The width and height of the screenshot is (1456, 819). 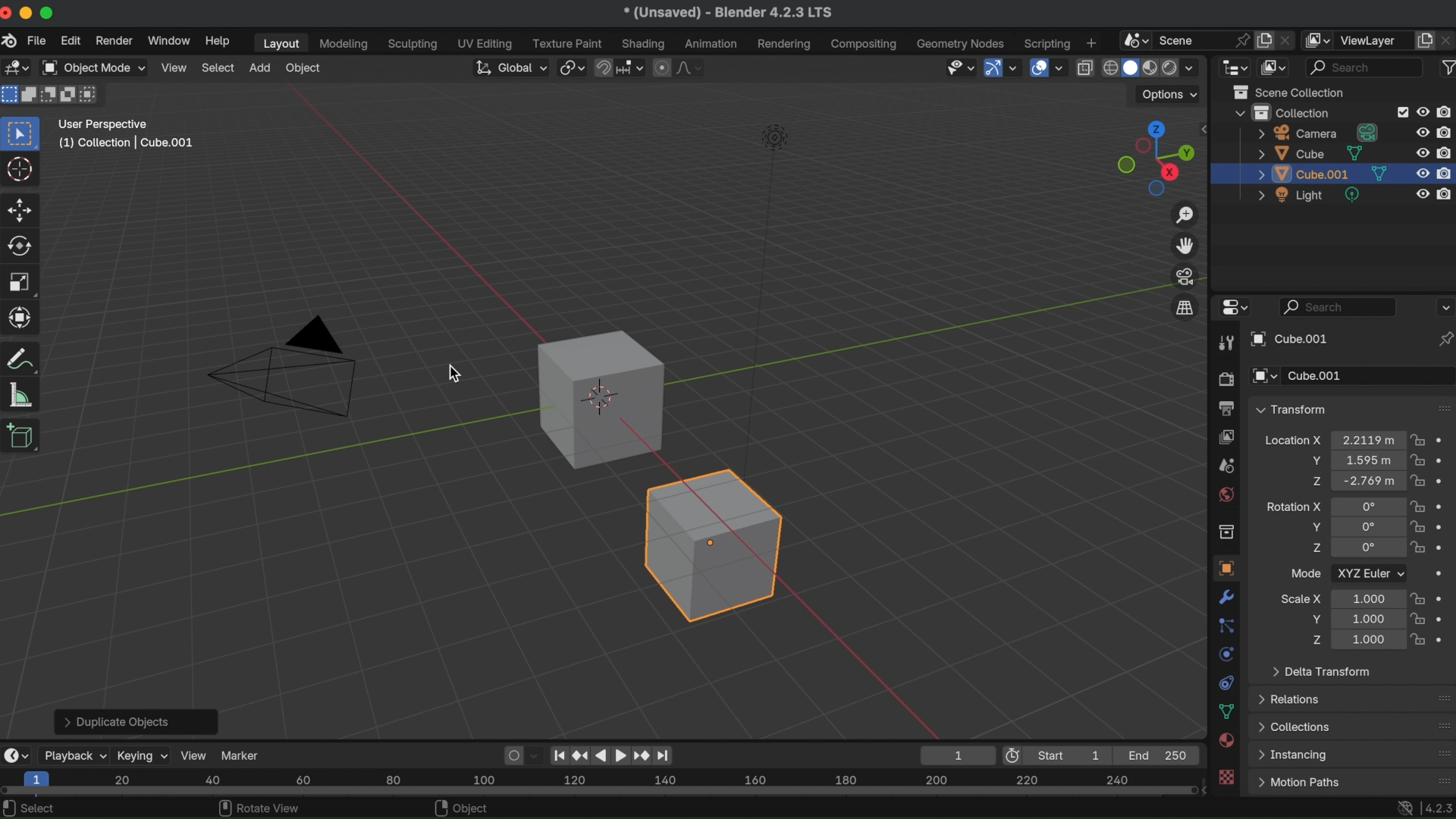 I want to click on tool, so click(x=1224, y=344).